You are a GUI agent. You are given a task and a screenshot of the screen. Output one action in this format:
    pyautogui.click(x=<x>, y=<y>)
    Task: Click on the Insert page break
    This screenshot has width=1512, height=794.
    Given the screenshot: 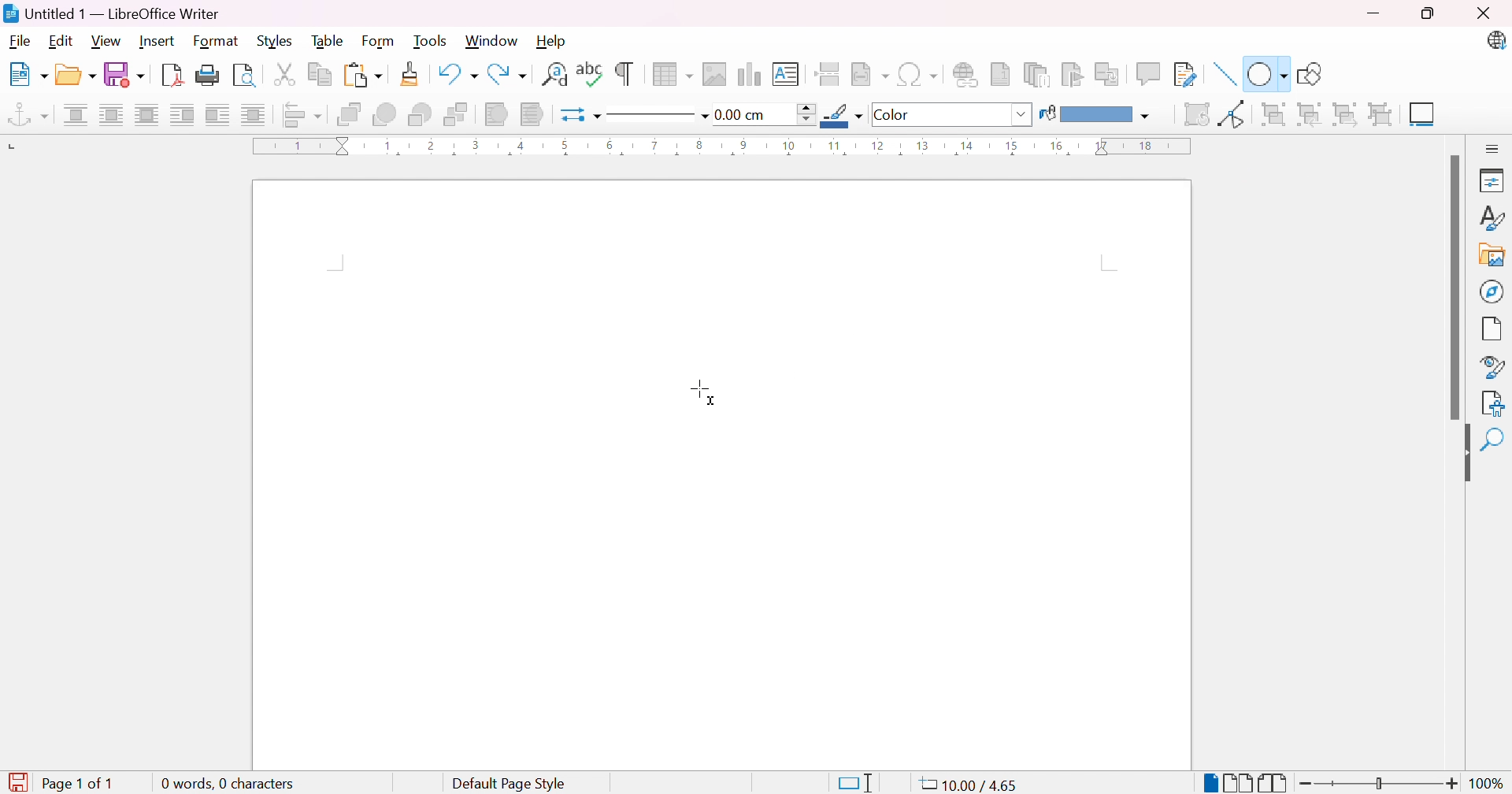 What is the action you would take?
    pyautogui.click(x=827, y=74)
    